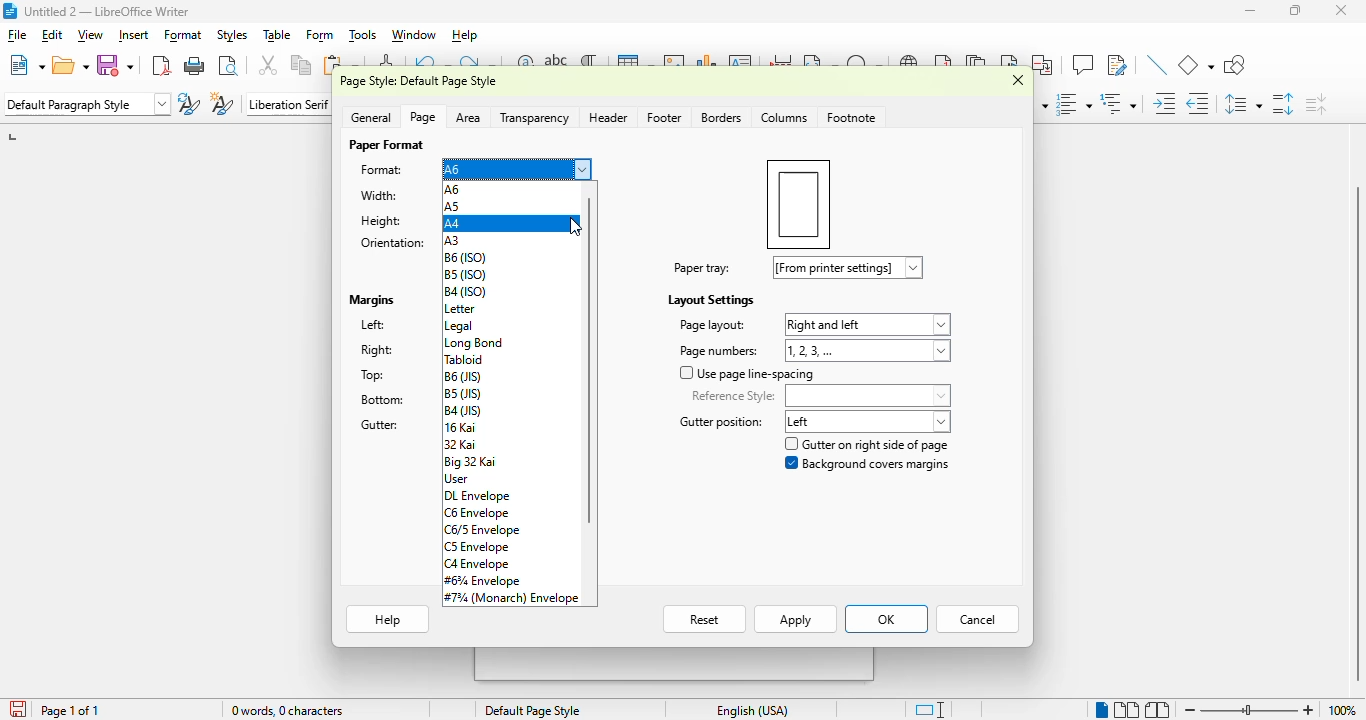 This screenshot has height=720, width=1366. I want to click on big 32 kai, so click(472, 462).